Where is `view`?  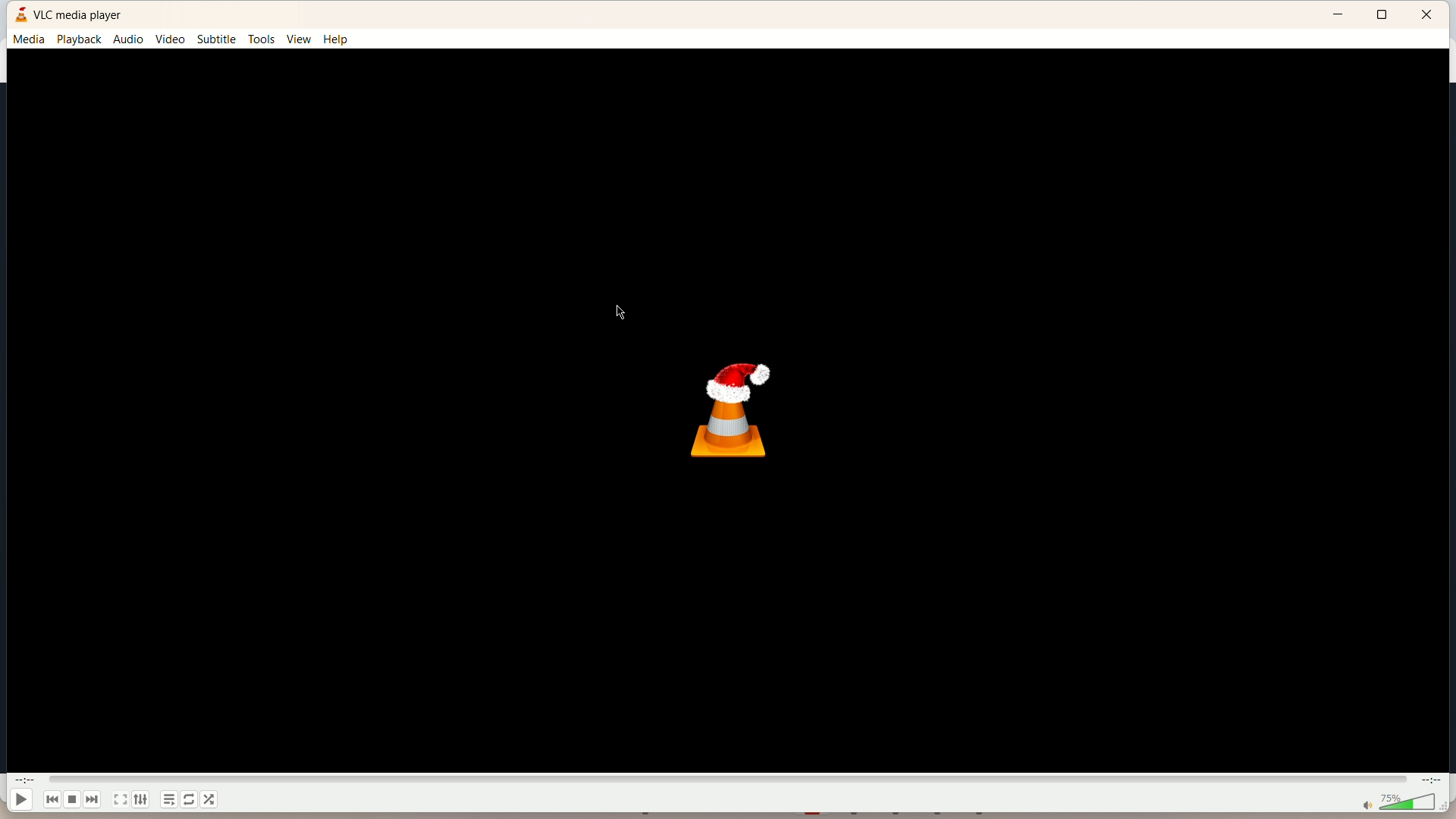 view is located at coordinates (300, 39).